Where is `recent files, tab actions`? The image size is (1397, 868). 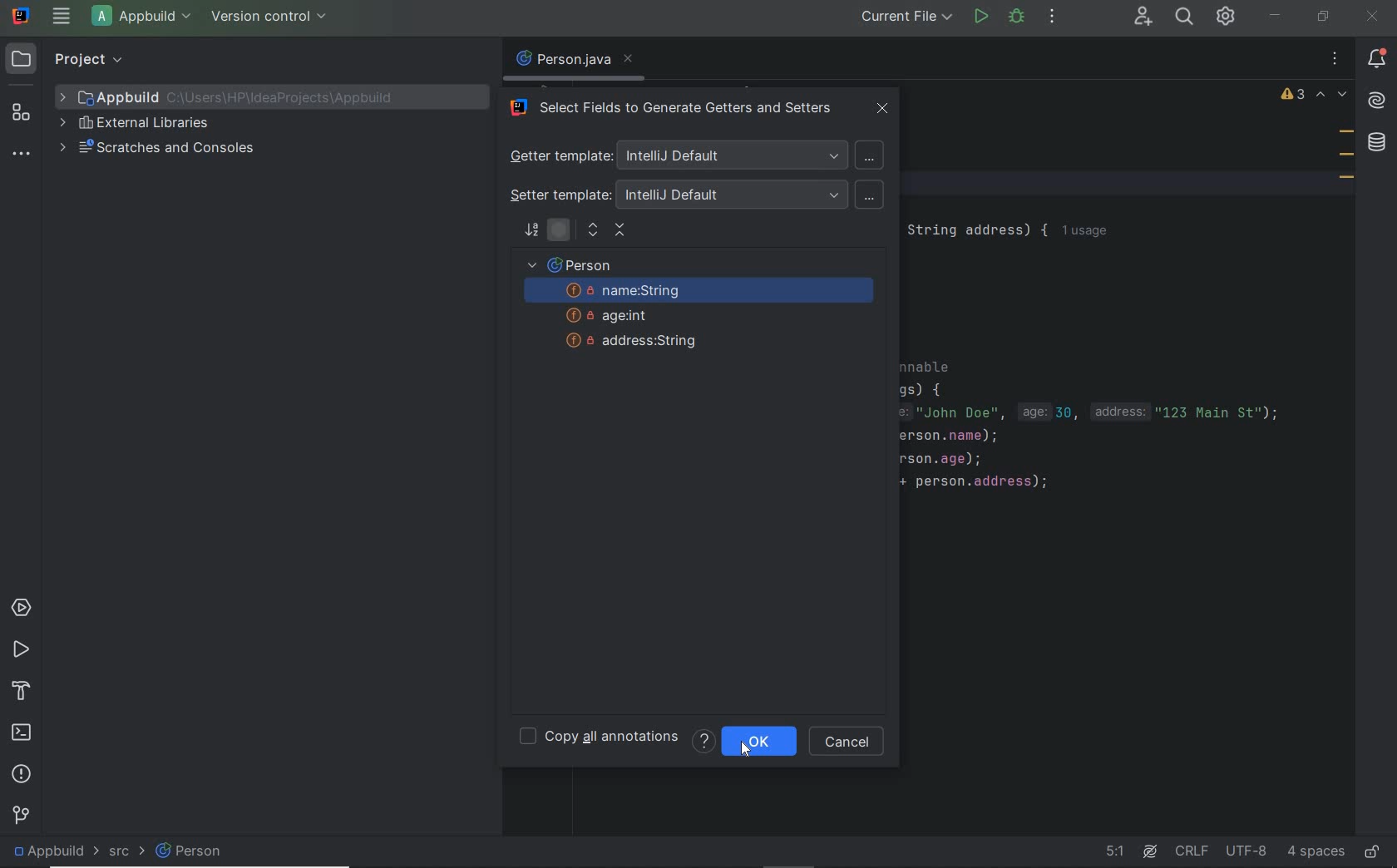 recent files, tab actions is located at coordinates (1335, 59).